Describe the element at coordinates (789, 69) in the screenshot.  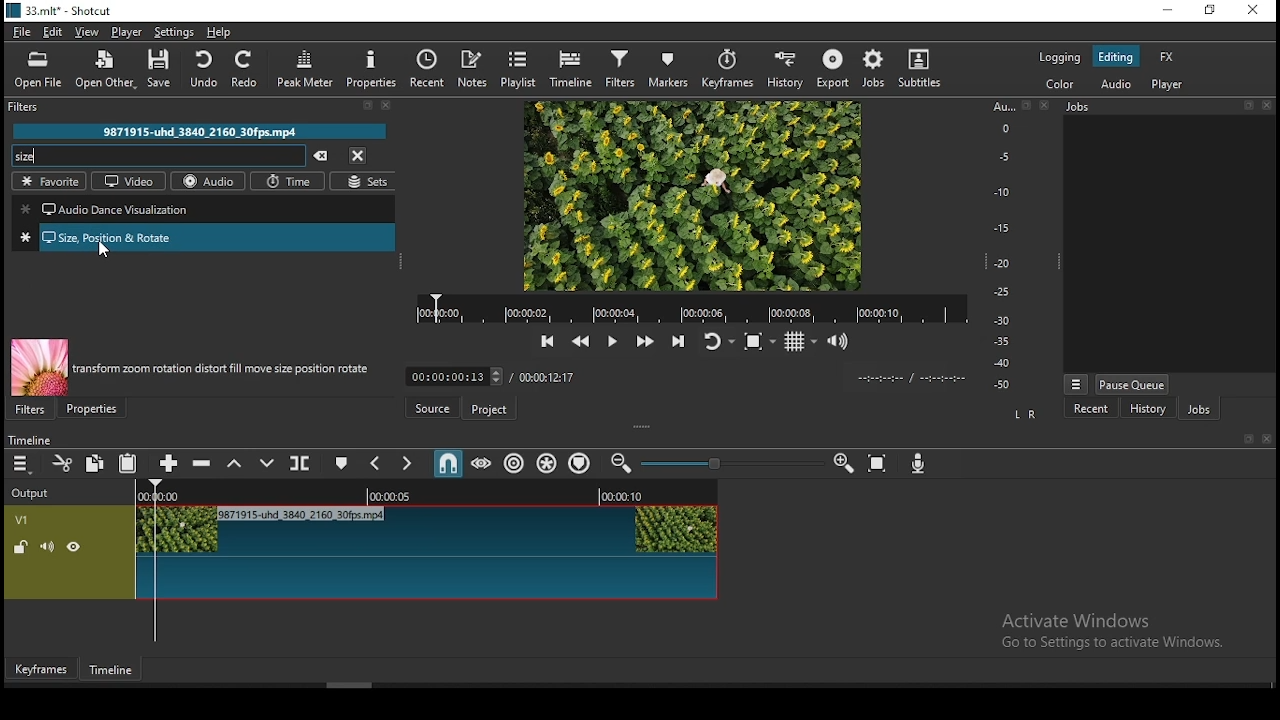
I see `history` at that location.